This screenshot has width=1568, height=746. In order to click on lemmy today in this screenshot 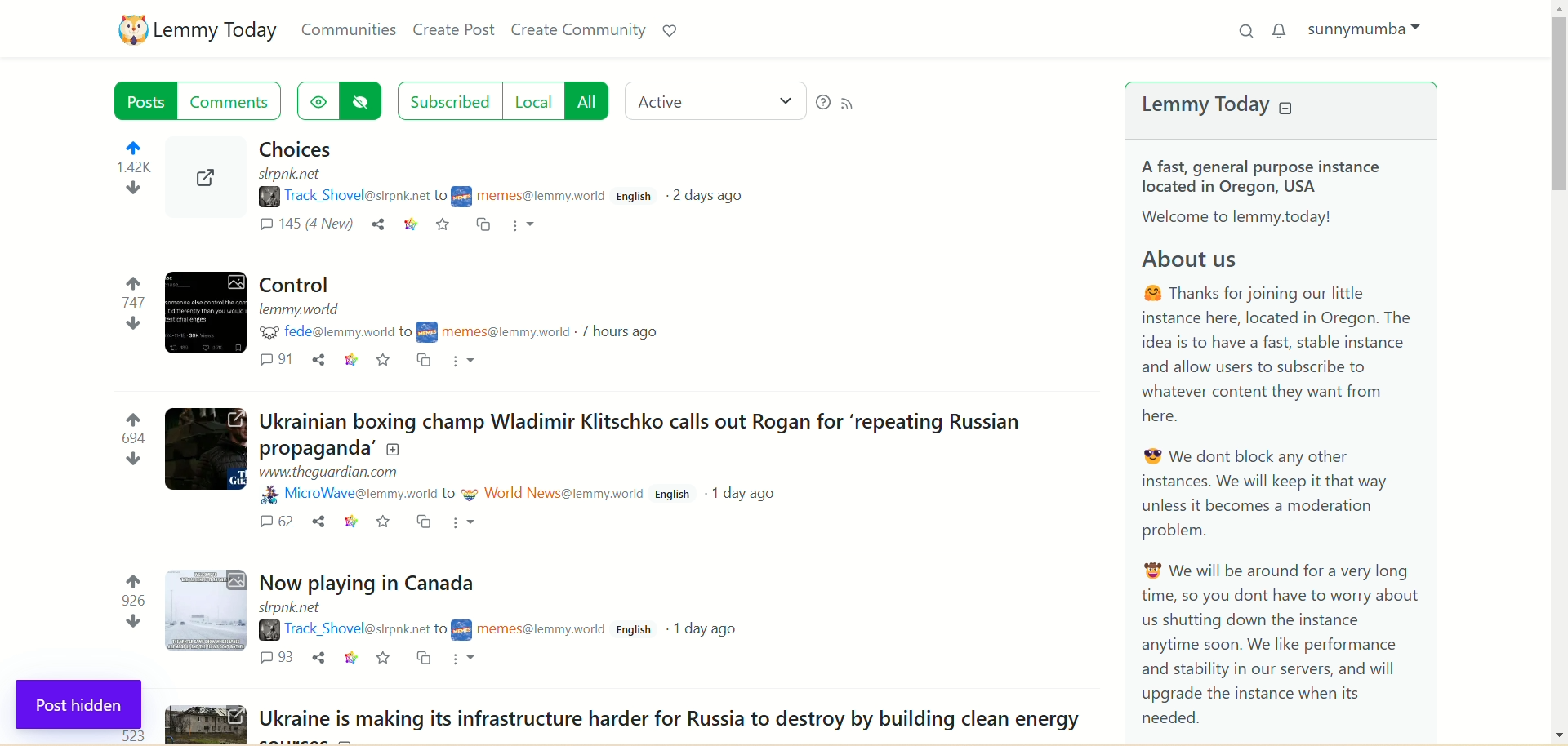, I will do `click(1233, 108)`.